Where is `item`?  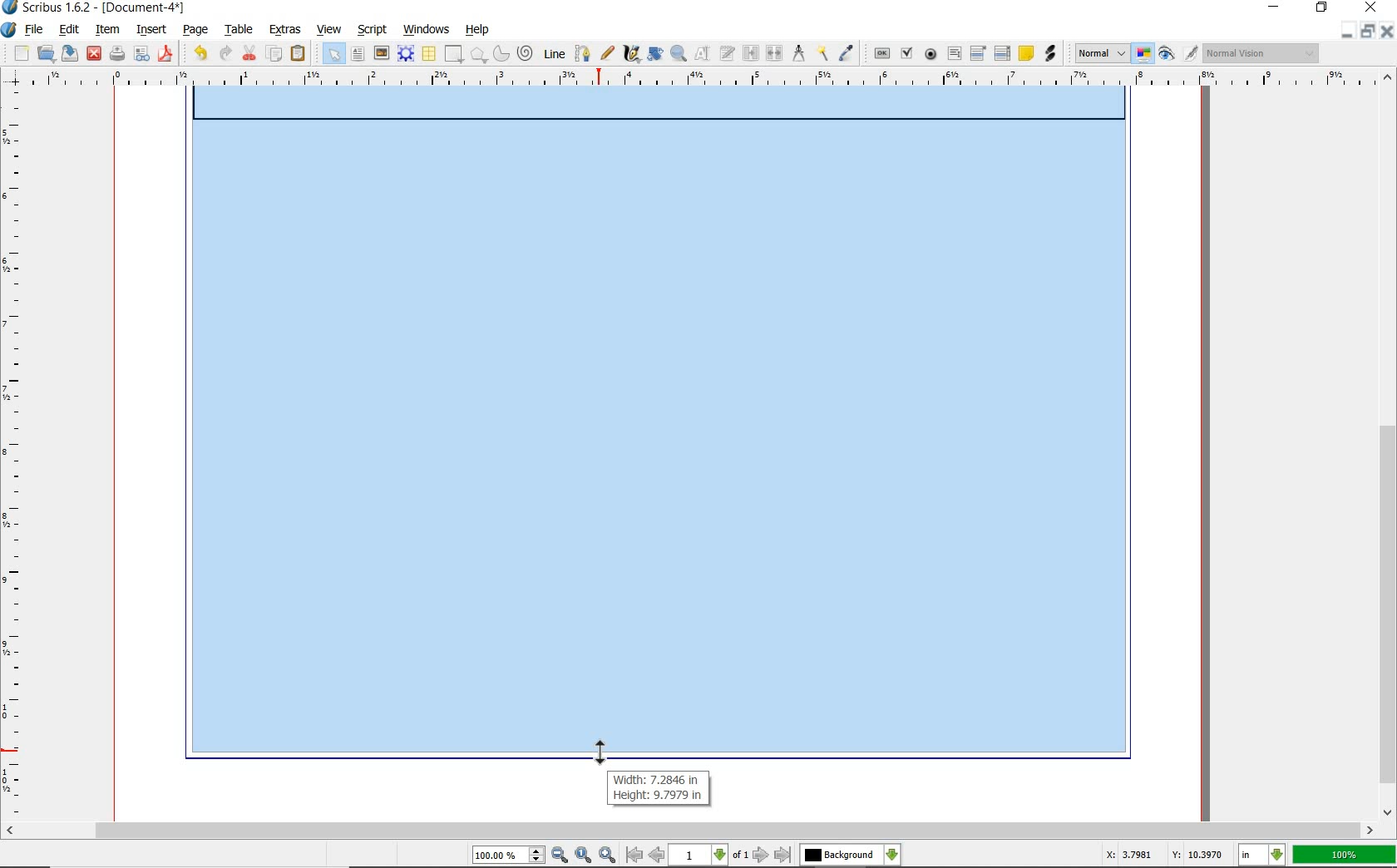 item is located at coordinates (106, 29).